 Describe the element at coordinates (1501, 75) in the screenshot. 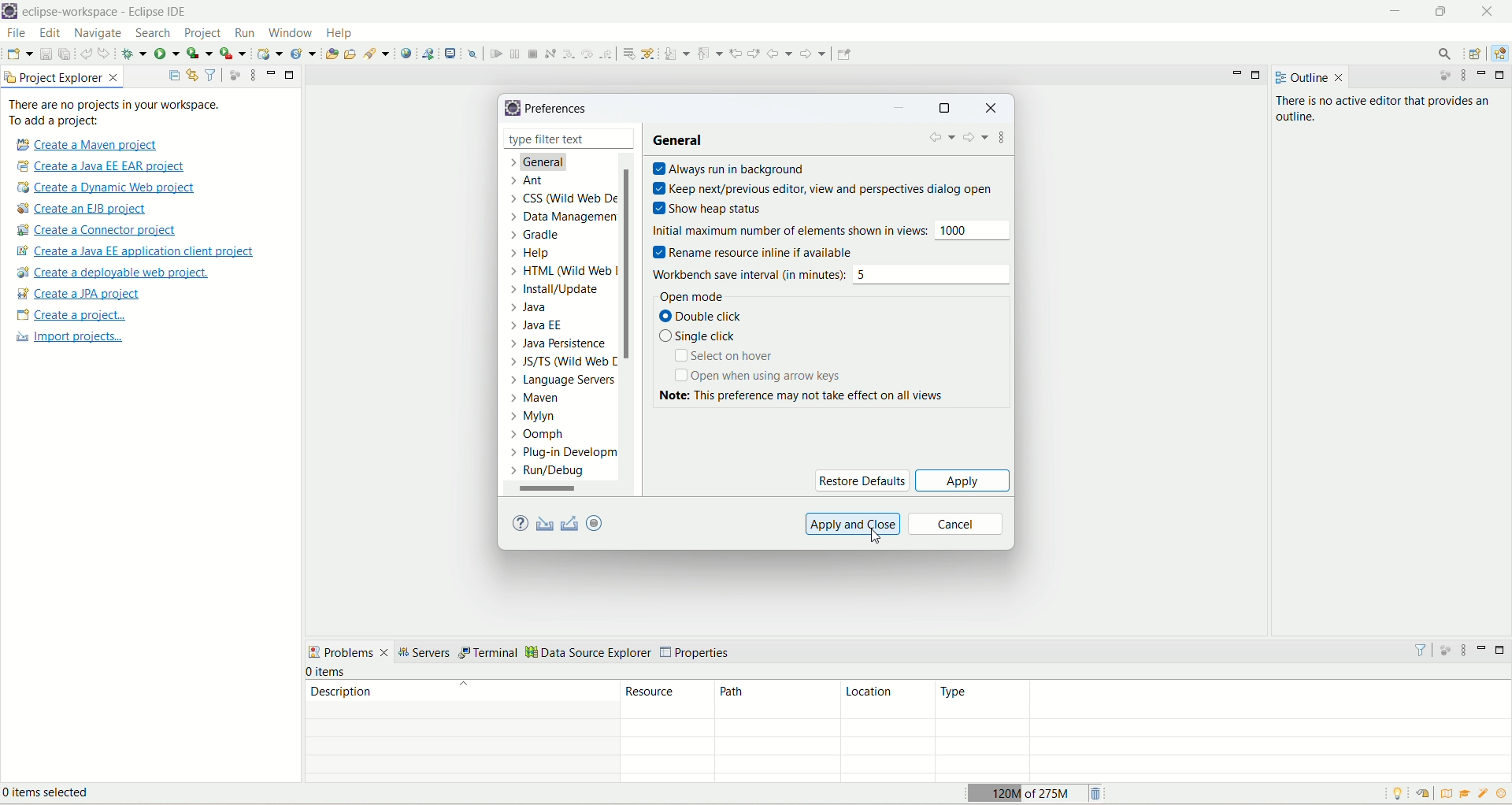

I see `maximize` at that location.